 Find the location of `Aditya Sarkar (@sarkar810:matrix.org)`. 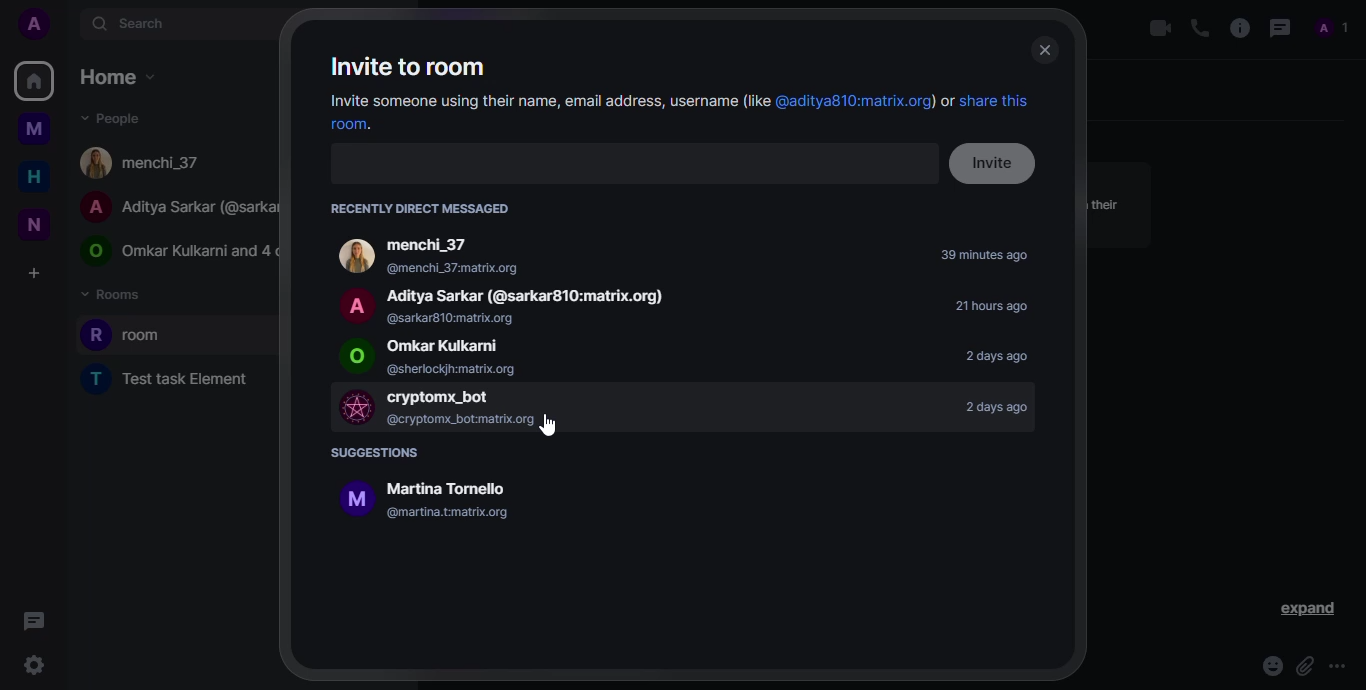

Aditya Sarkar (@sarkar810:matrix.org) is located at coordinates (524, 294).